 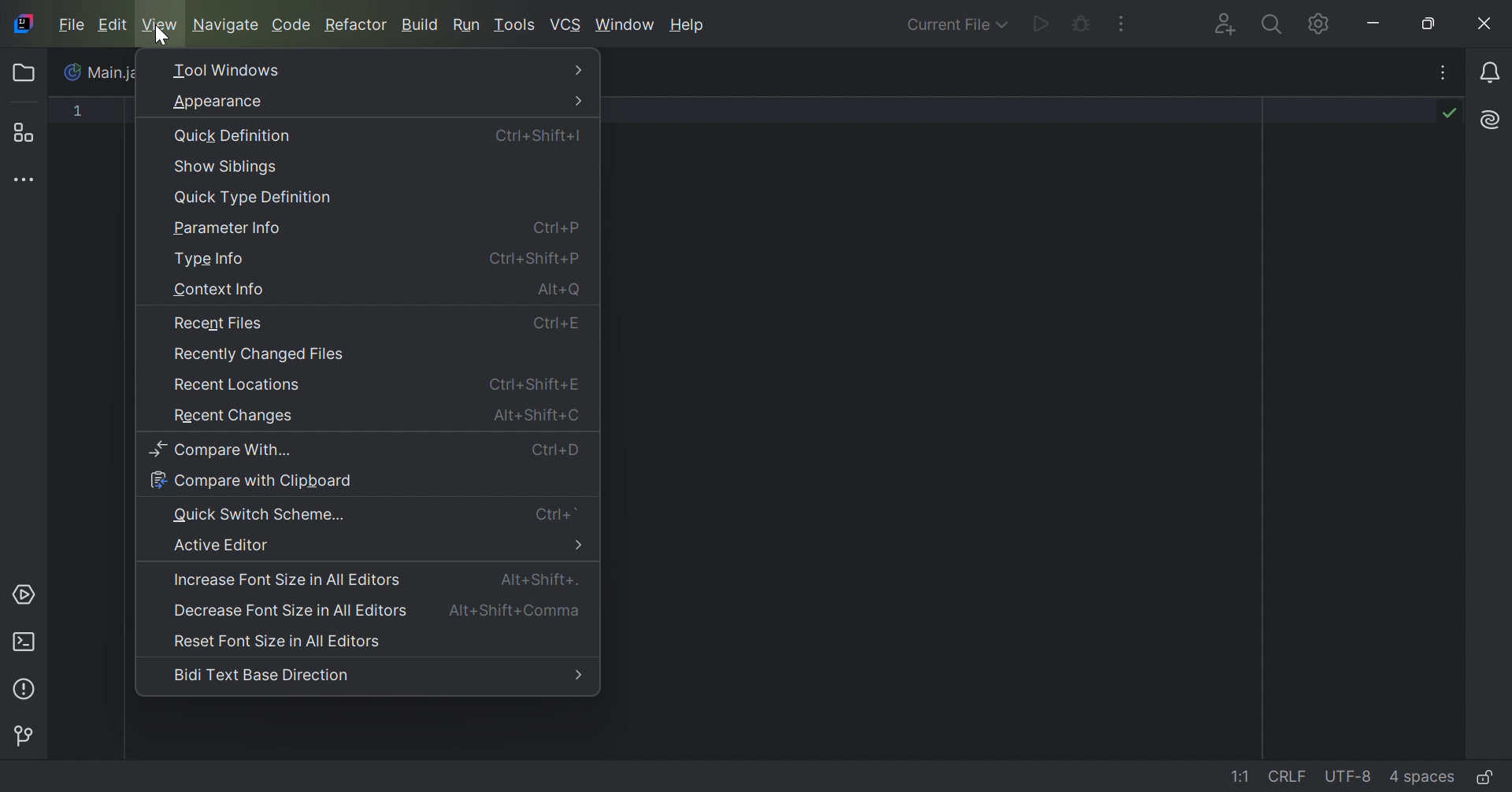 What do you see at coordinates (558, 514) in the screenshot?
I see `Ctrl+`` at bounding box center [558, 514].